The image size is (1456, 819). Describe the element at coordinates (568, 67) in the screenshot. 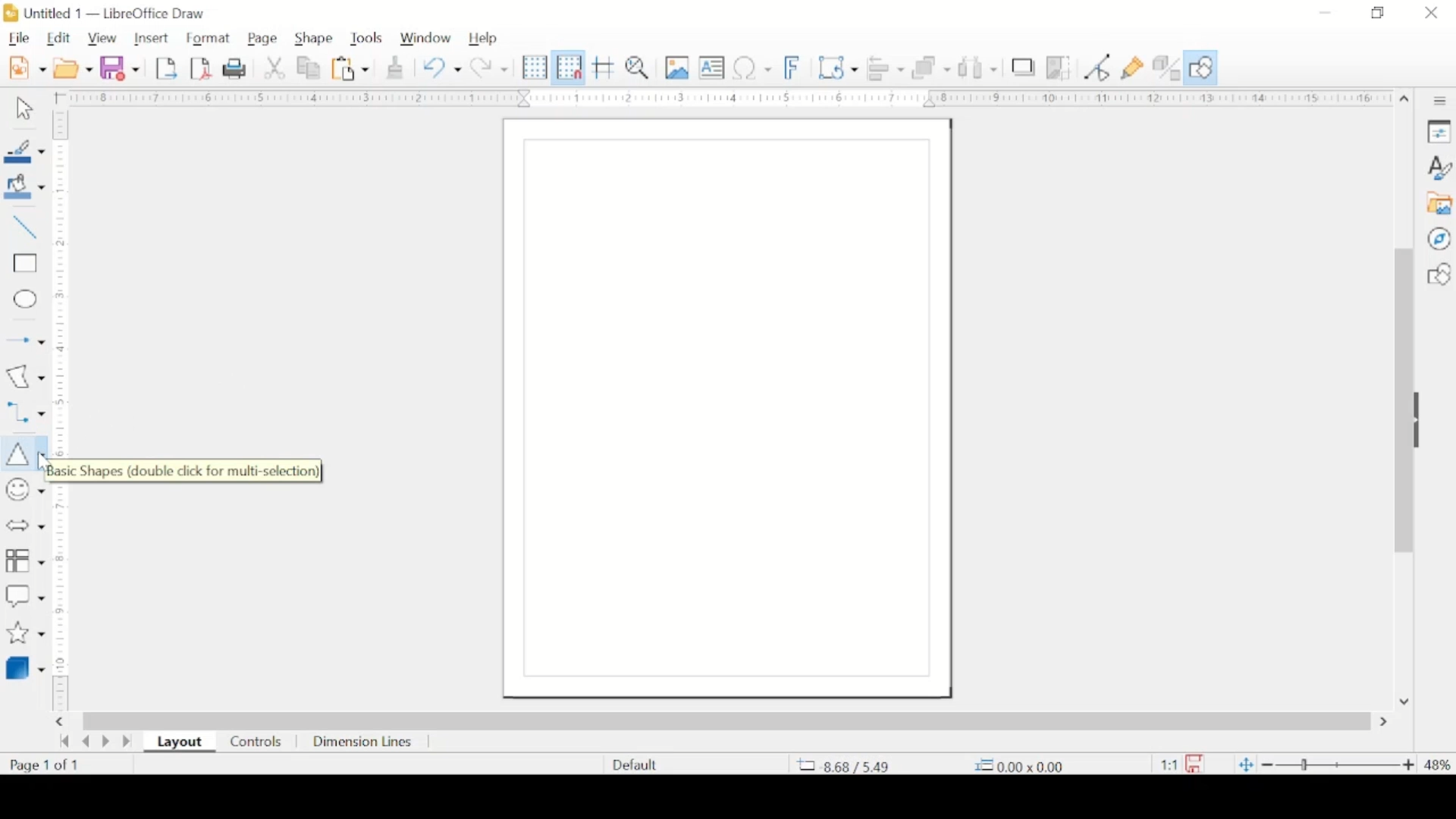

I see `snap to grid` at that location.